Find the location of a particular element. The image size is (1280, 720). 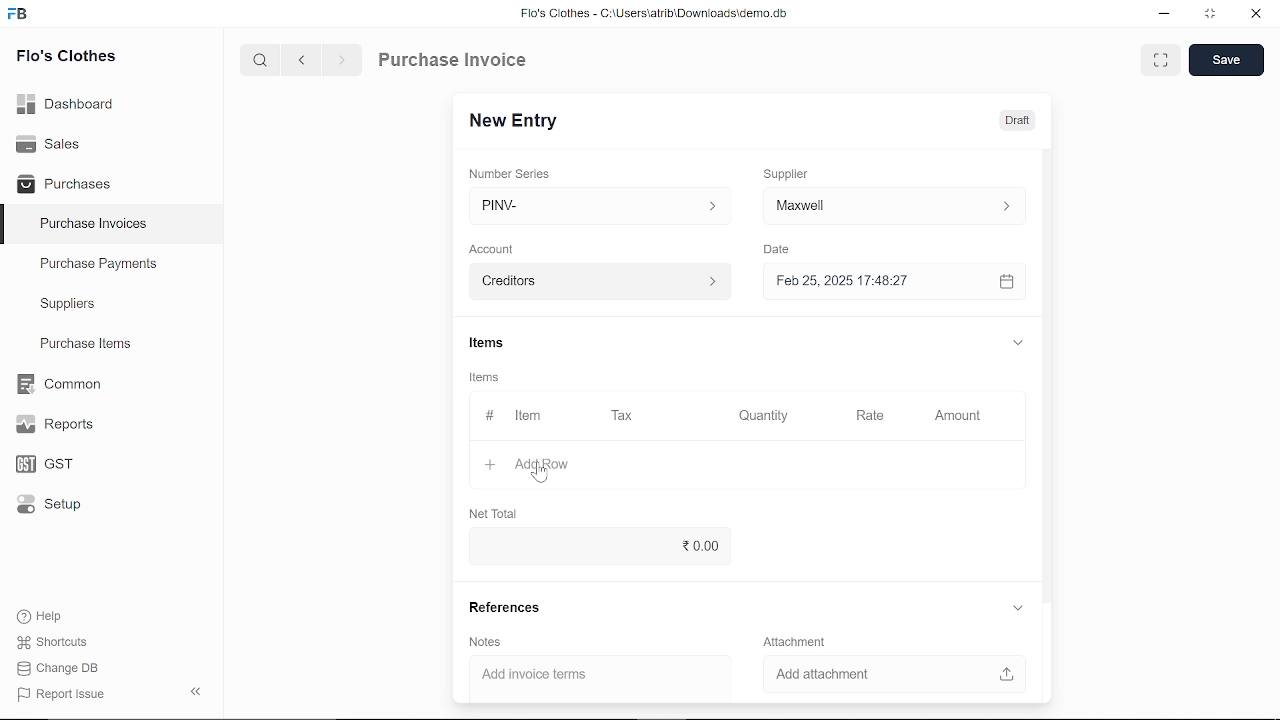

PINV- > is located at coordinates (593, 206).